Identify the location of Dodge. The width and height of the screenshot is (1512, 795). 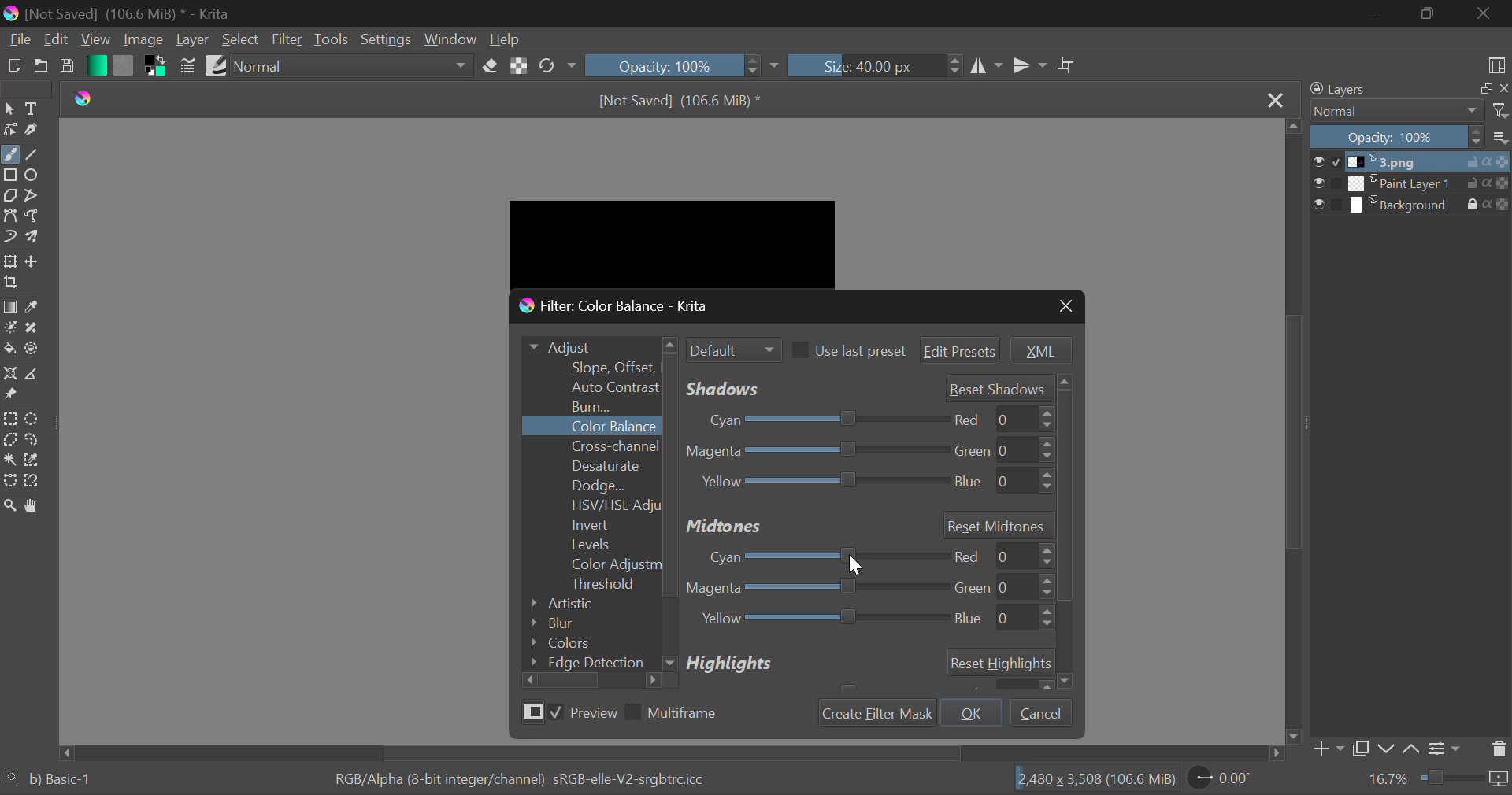
(591, 485).